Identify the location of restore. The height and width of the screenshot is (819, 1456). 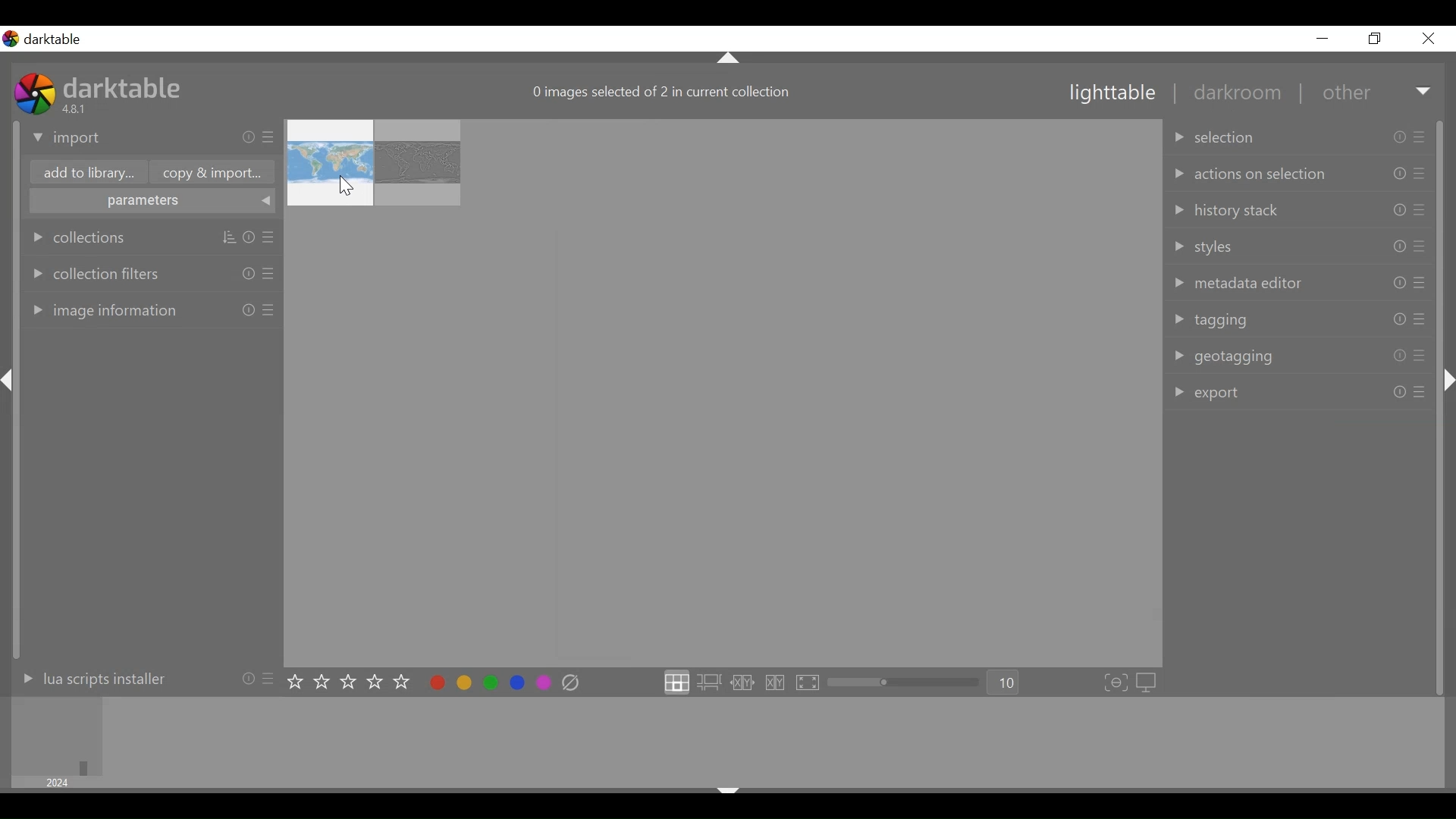
(1376, 39).